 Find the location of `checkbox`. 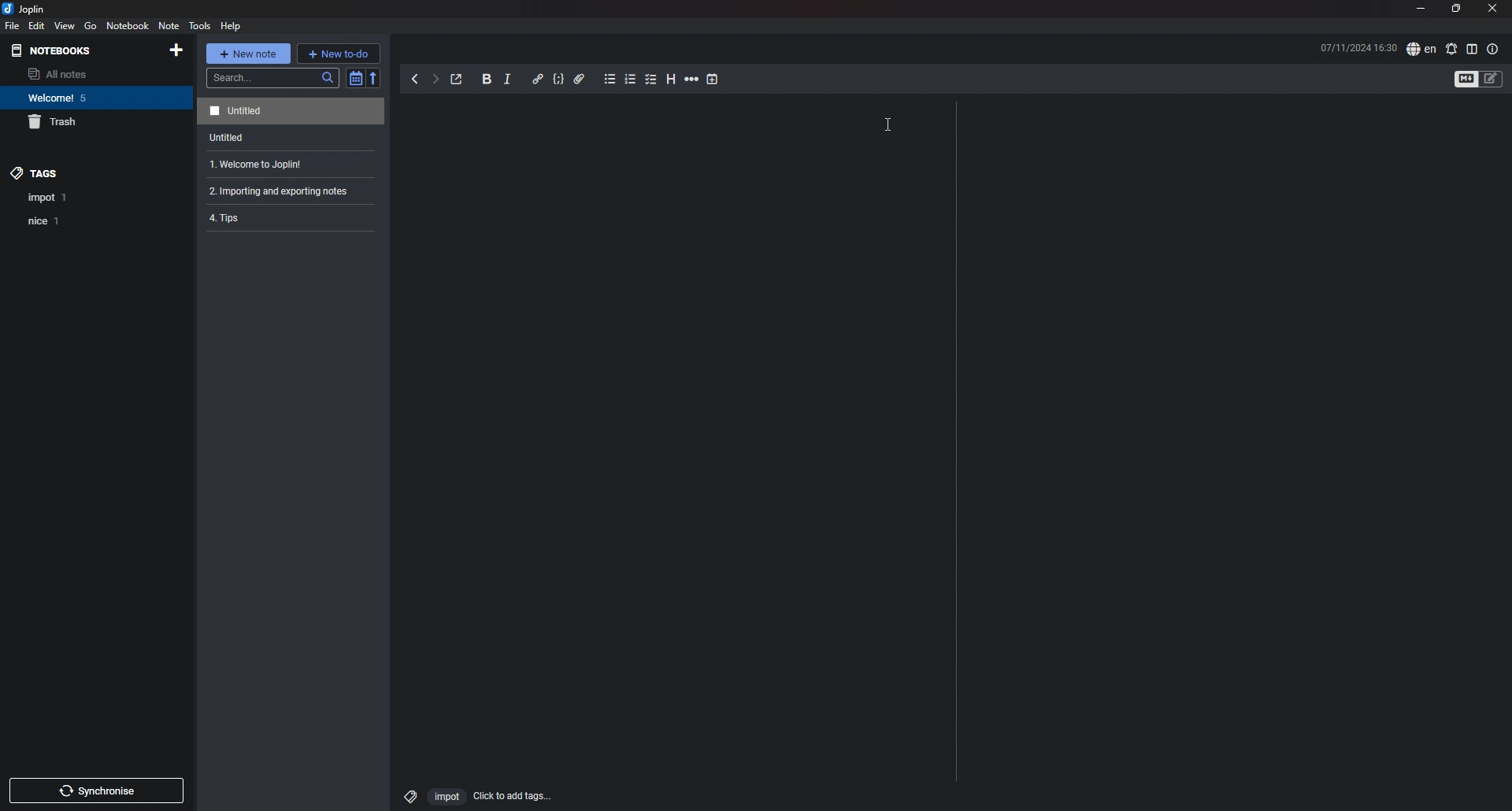

checkbox is located at coordinates (651, 80).